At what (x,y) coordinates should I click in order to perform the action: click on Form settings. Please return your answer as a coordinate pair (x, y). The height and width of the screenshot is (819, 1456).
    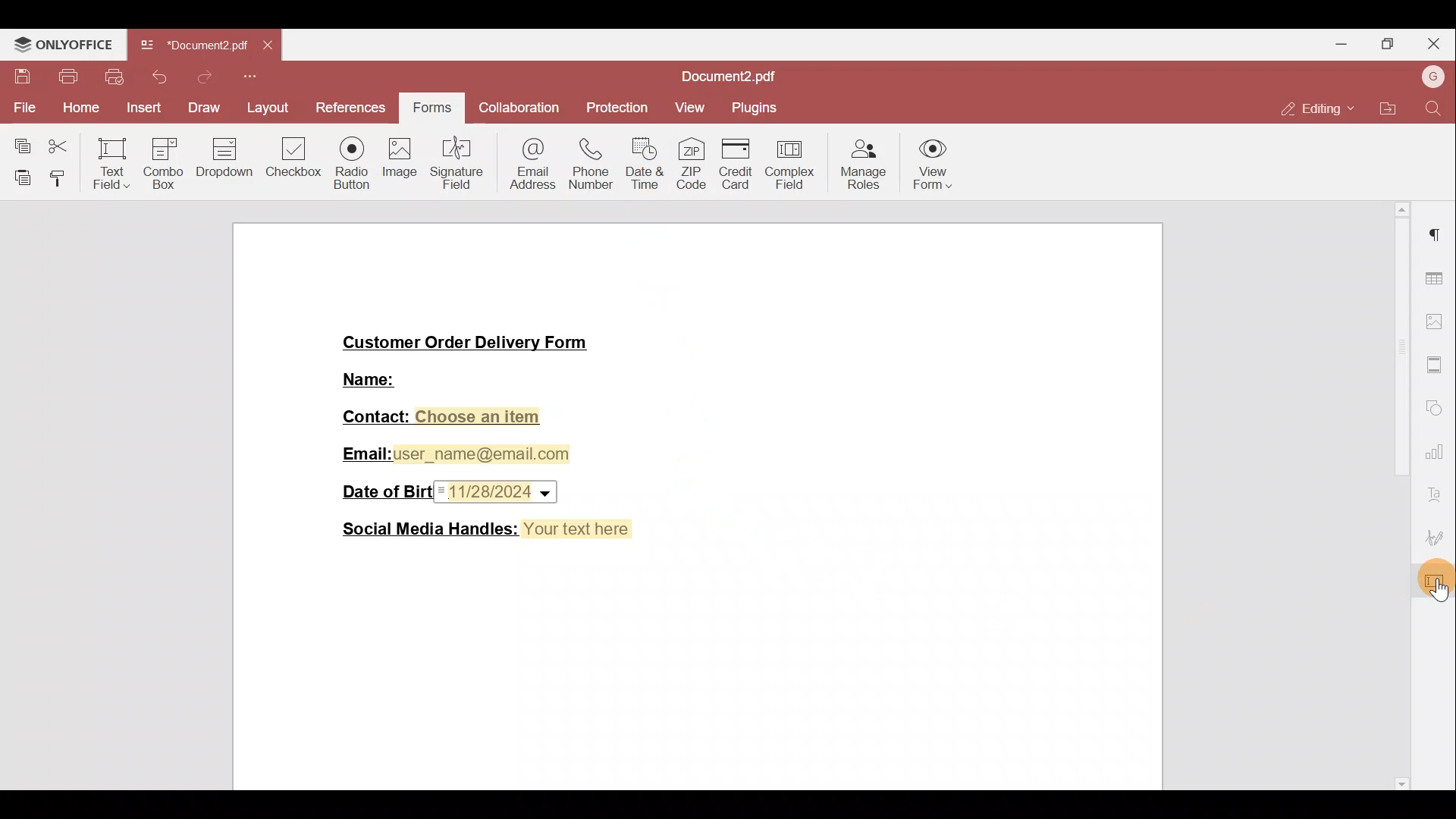
    Looking at the image, I should click on (1437, 583).